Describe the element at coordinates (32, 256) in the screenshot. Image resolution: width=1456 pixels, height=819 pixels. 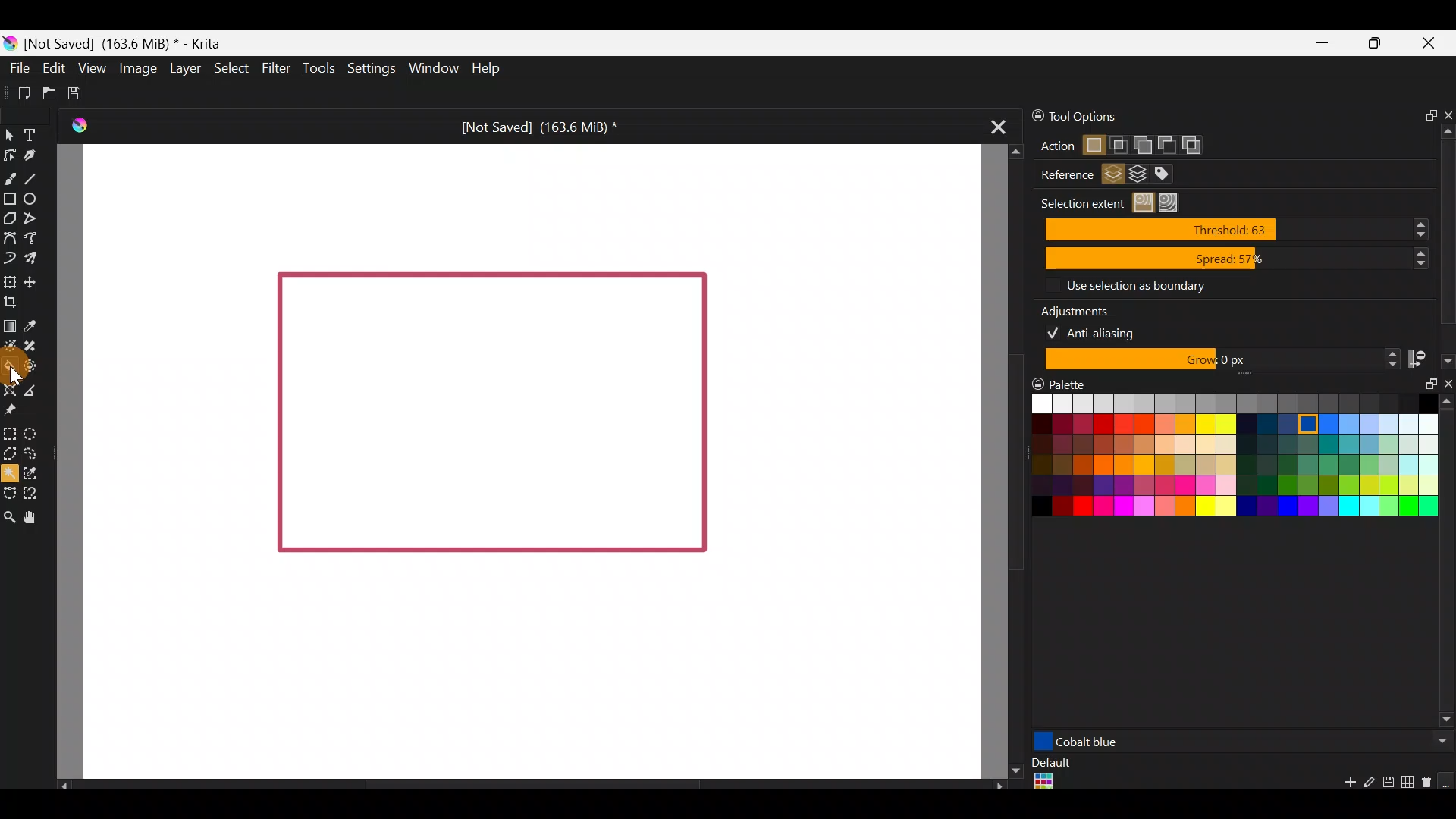
I see `Multibrush tool` at that location.